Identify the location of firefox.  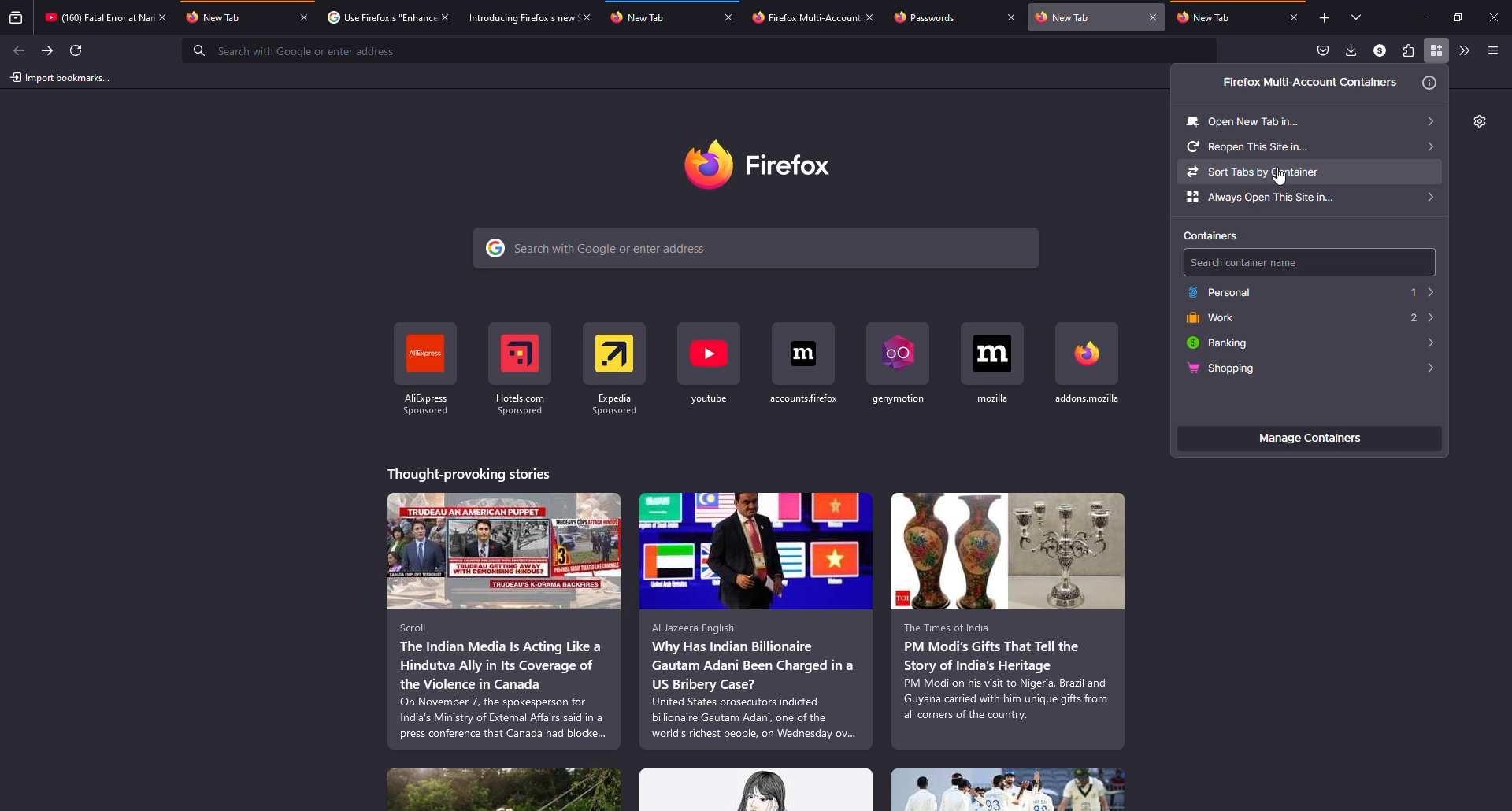
(778, 165).